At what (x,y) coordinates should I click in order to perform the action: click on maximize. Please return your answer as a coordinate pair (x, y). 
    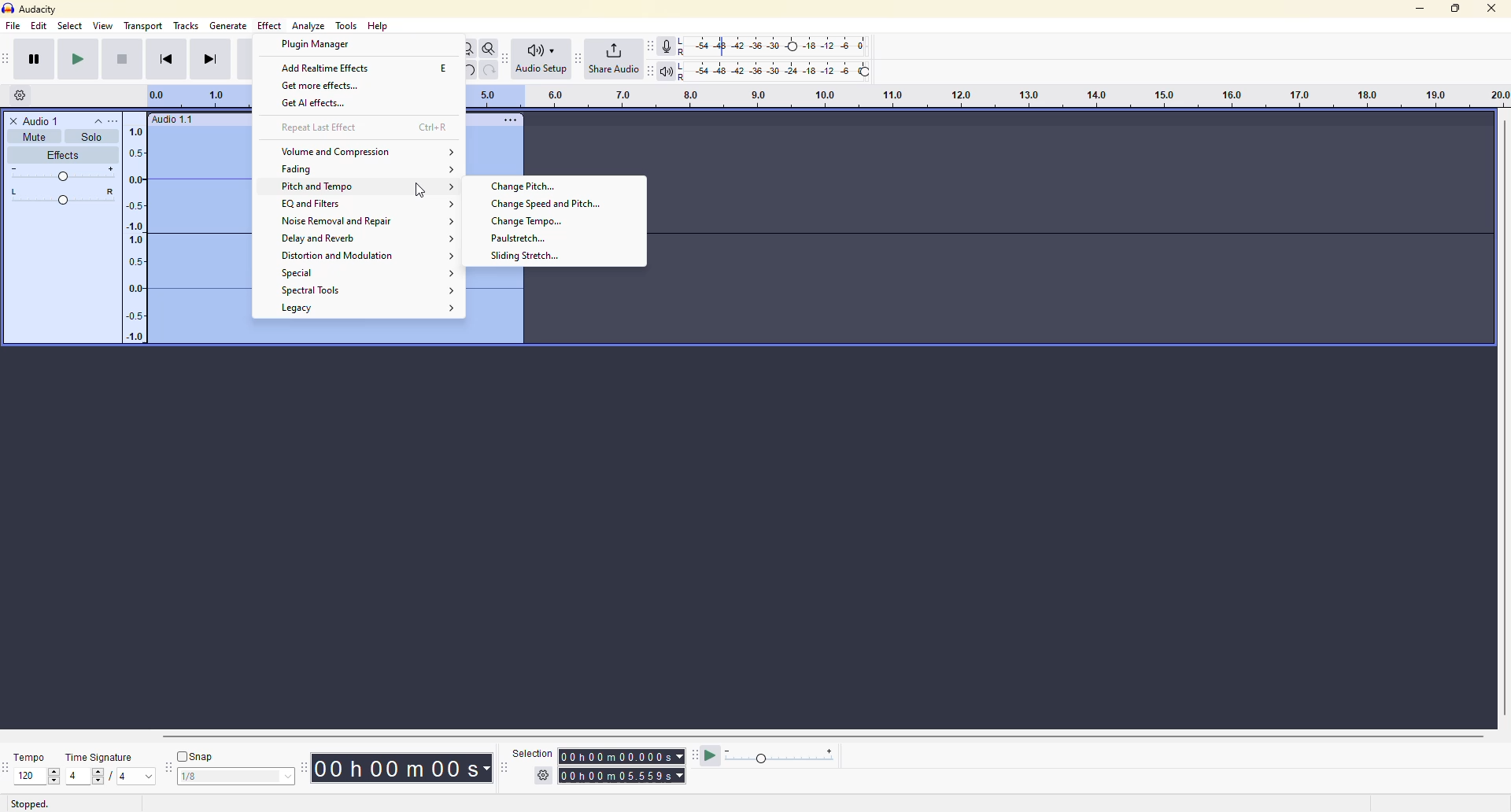
    Looking at the image, I should click on (1455, 7).